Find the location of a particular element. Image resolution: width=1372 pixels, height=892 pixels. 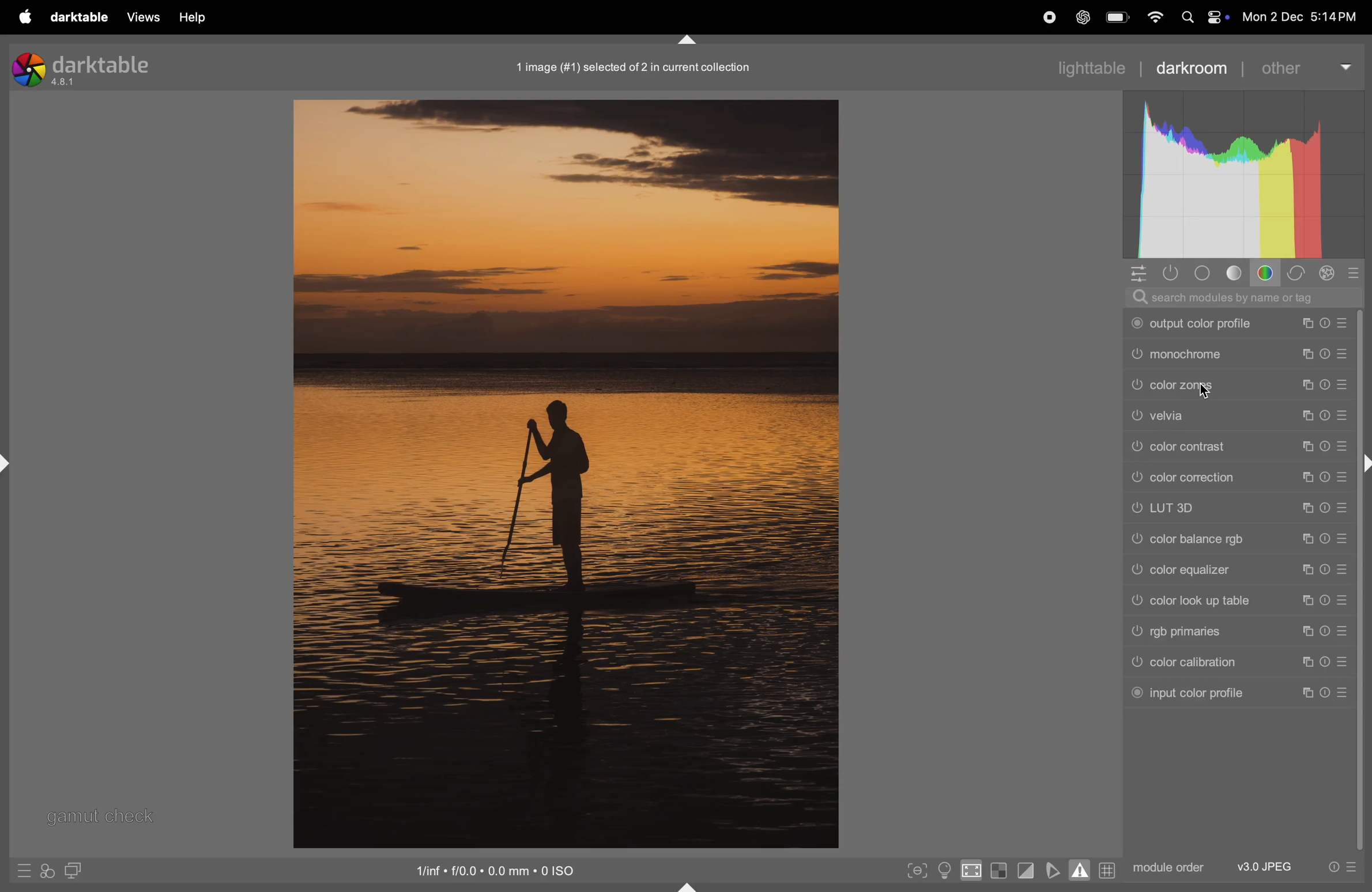

5:14PM is located at coordinates (1333, 17).